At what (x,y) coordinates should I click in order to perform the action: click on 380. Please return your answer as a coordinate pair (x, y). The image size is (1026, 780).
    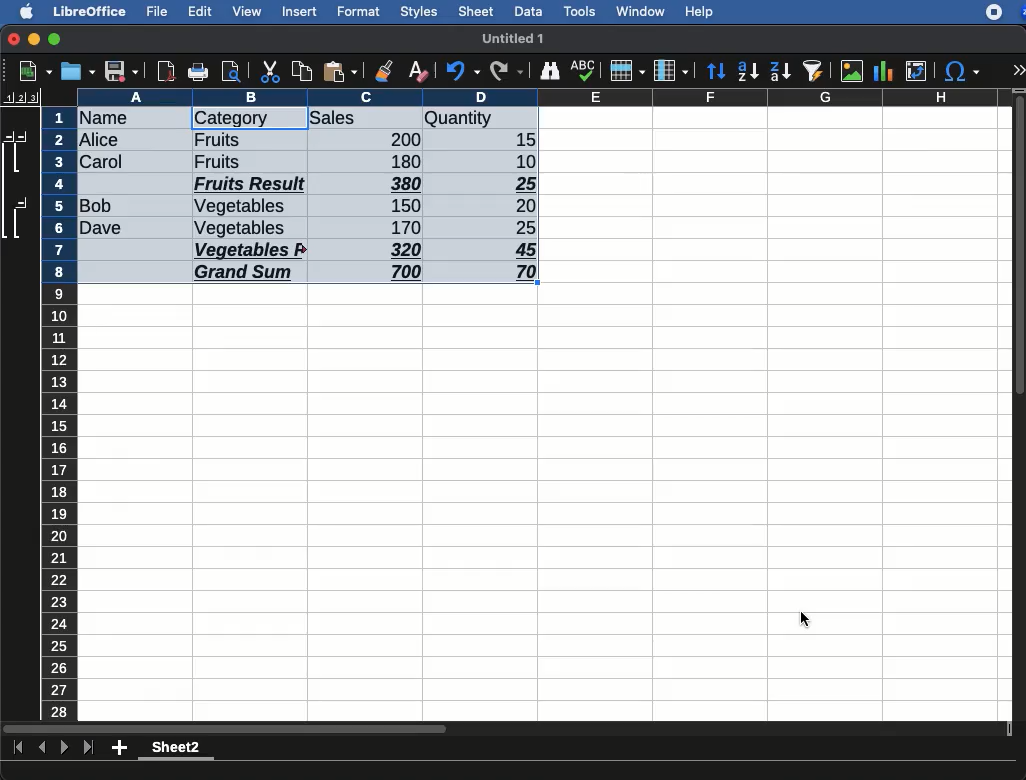
    Looking at the image, I should click on (402, 182).